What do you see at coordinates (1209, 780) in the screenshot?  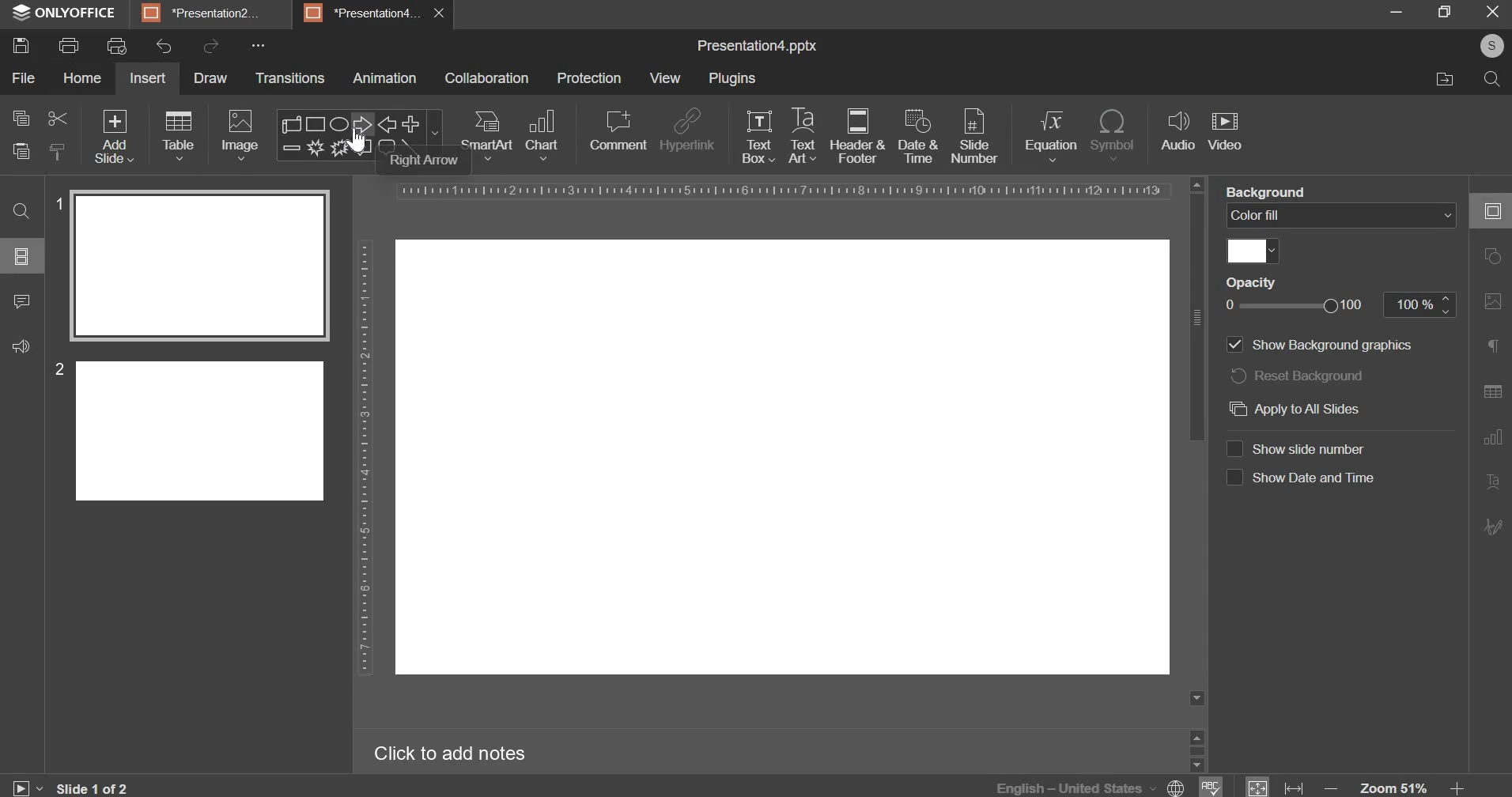 I see `spelling` at bounding box center [1209, 780].